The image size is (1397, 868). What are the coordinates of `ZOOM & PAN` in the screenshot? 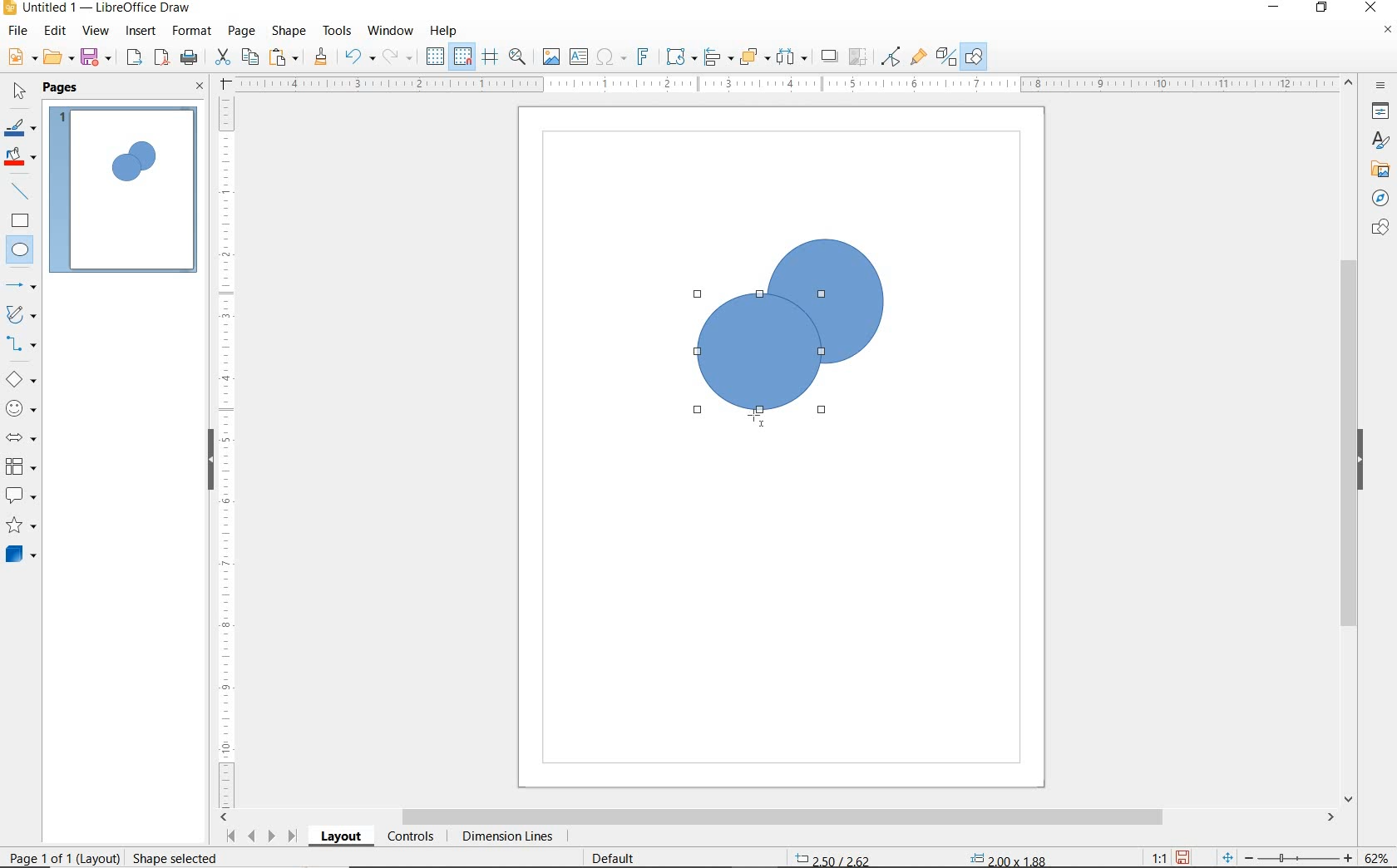 It's located at (517, 56).